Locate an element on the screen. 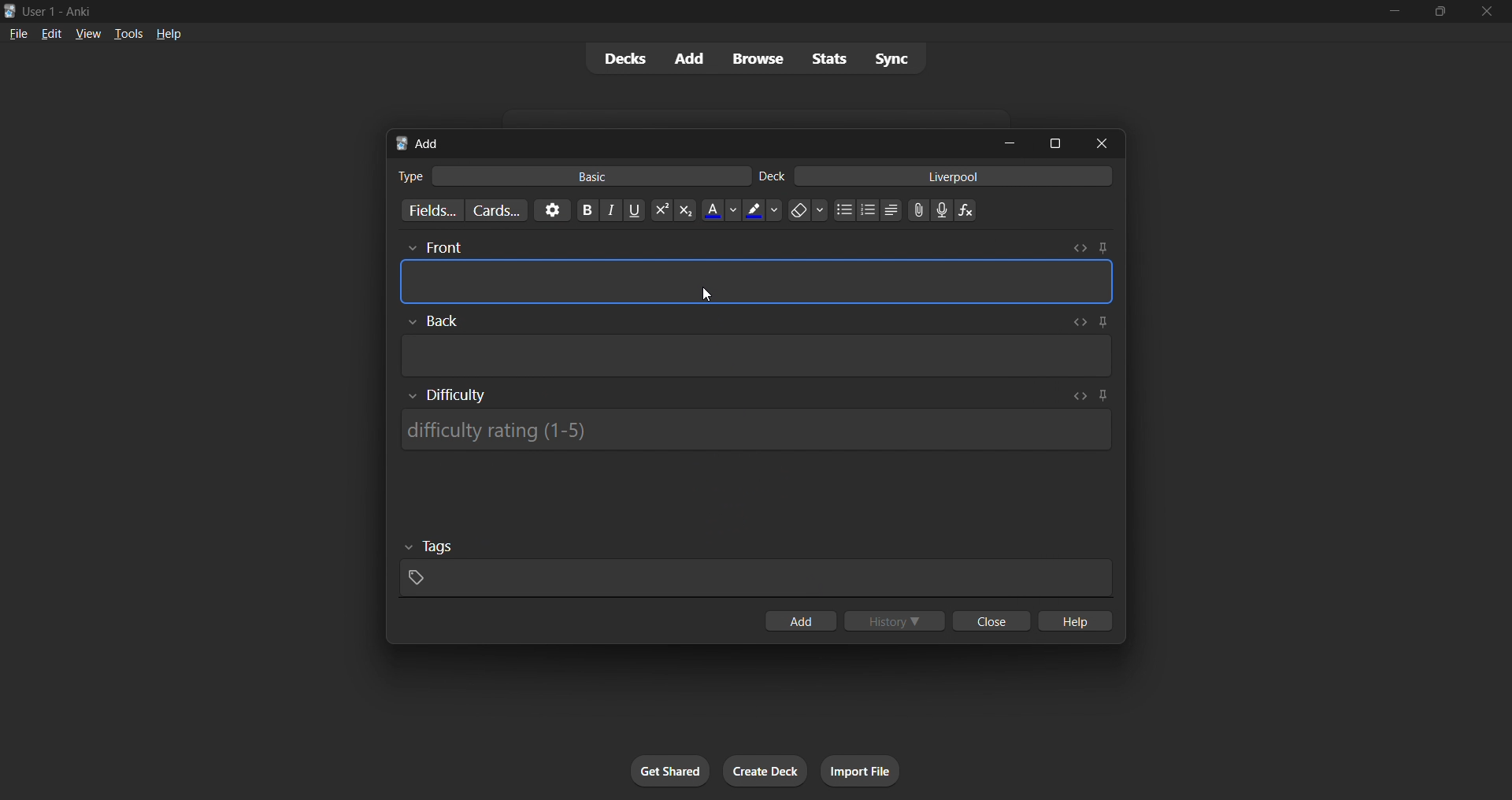 Image resolution: width=1512 pixels, height=800 pixels. Record audio is located at coordinates (942, 210).